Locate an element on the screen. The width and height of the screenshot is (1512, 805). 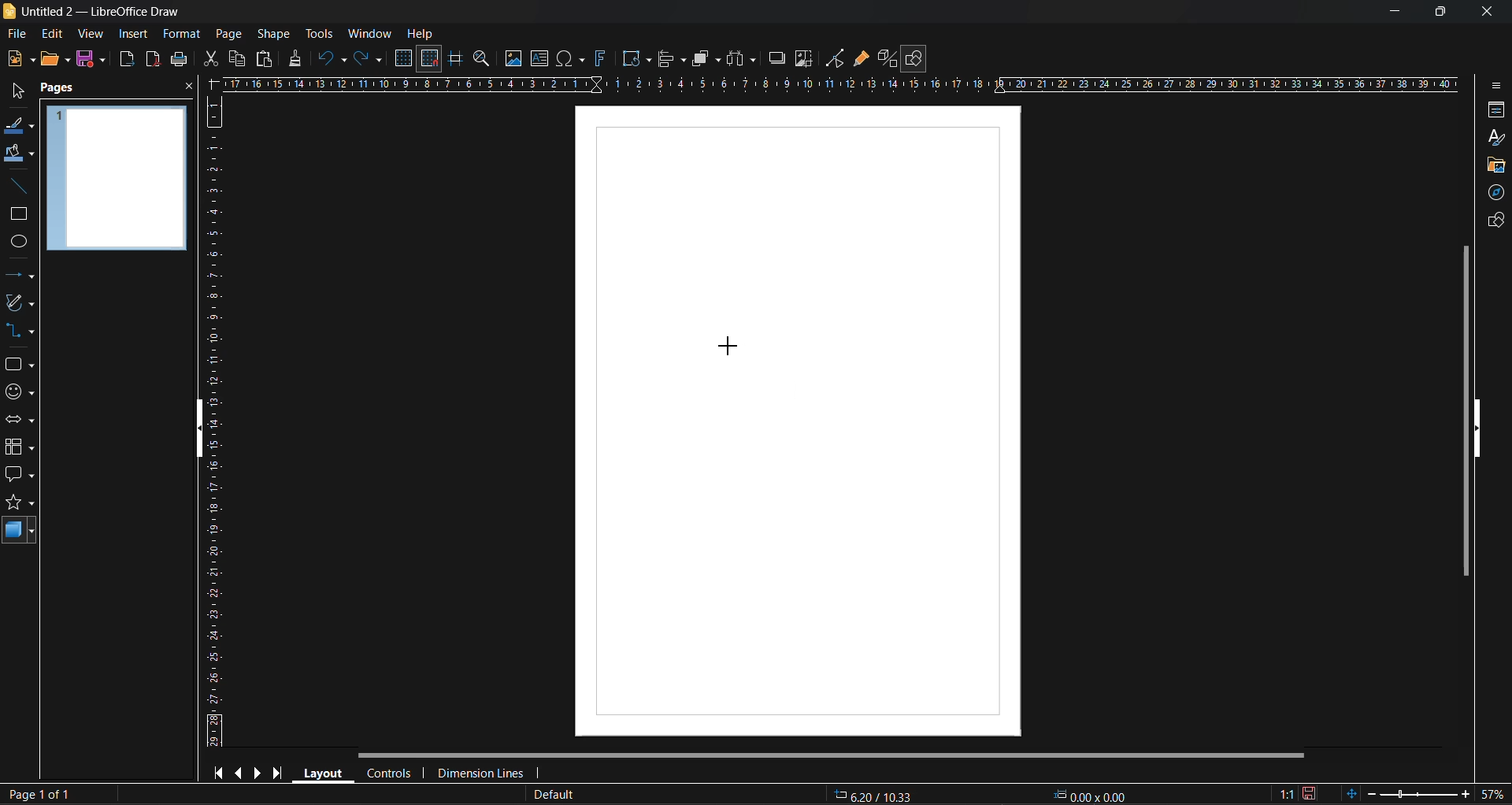
next is located at coordinates (259, 773).